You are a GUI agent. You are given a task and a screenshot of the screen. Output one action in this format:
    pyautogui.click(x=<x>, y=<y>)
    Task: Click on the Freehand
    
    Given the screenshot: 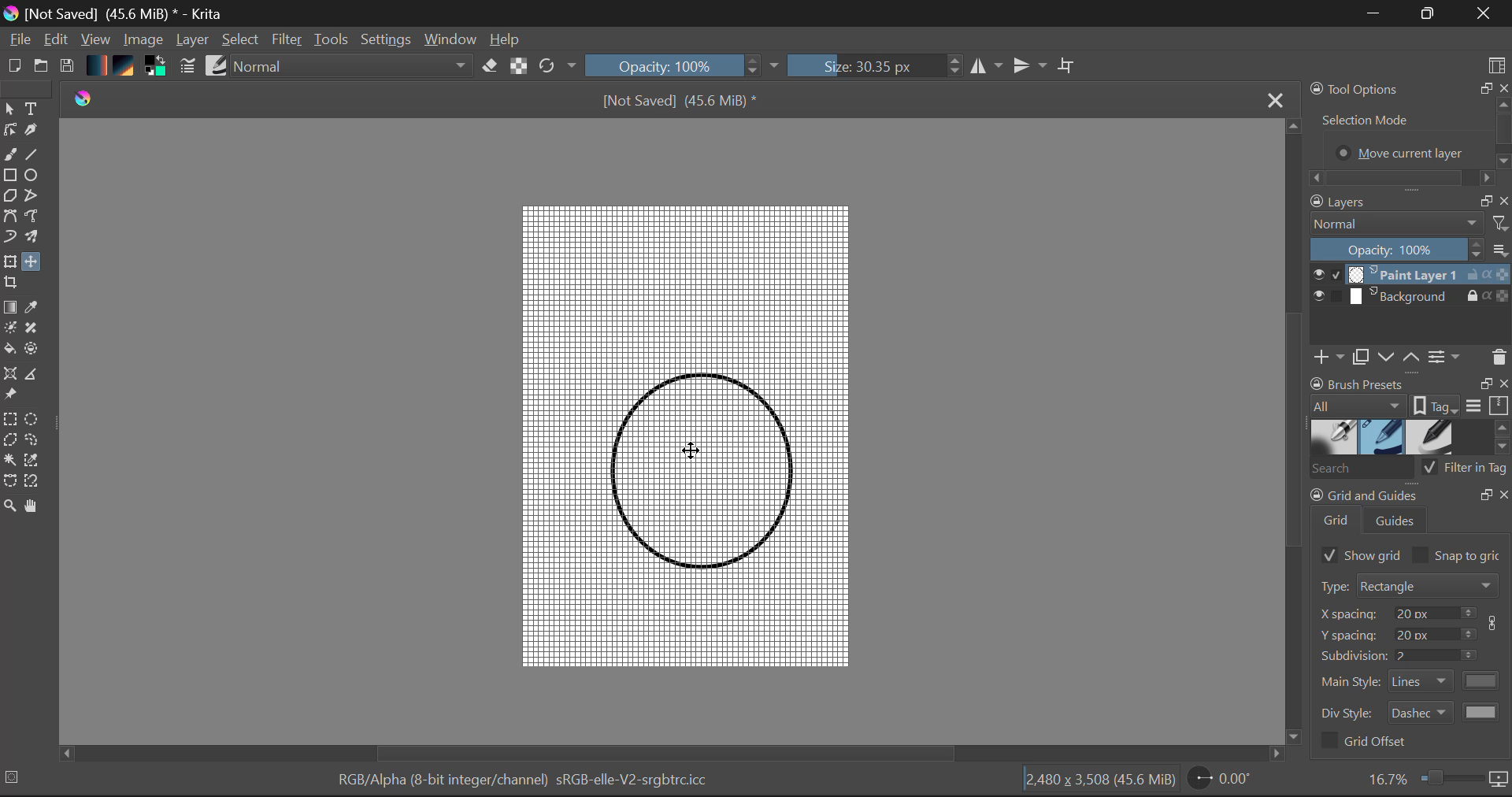 What is the action you would take?
    pyautogui.click(x=9, y=155)
    